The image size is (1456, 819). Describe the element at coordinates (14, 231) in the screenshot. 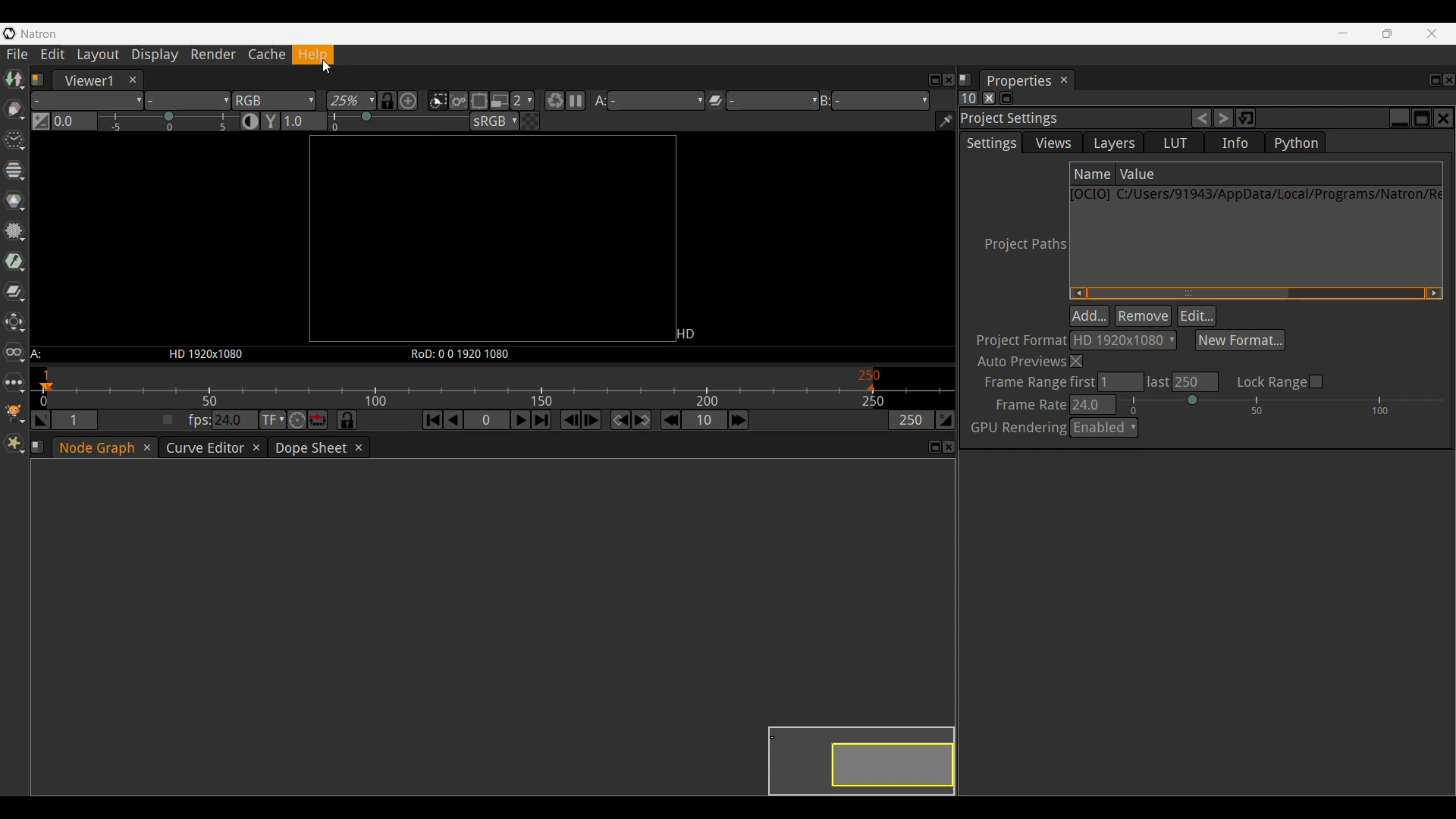

I see `Filter options` at that location.